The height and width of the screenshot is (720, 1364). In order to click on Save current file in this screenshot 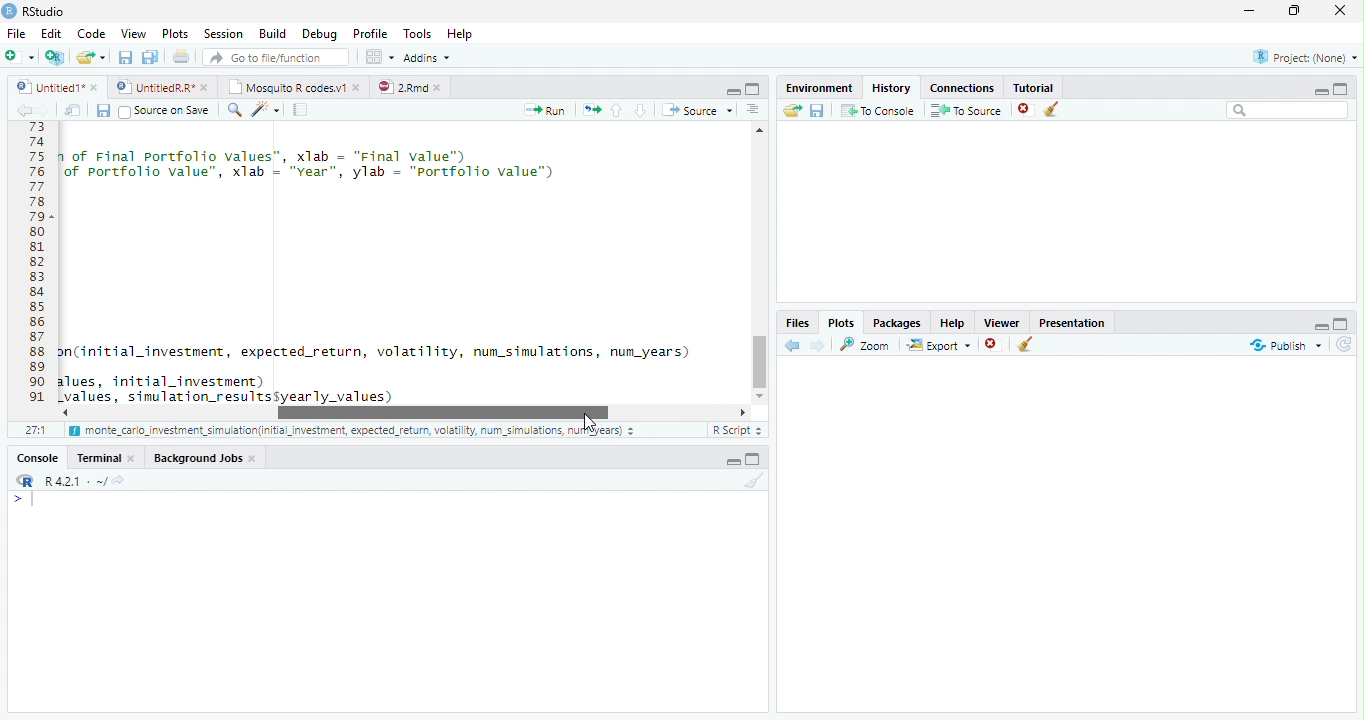, I will do `click(124, 57)`.